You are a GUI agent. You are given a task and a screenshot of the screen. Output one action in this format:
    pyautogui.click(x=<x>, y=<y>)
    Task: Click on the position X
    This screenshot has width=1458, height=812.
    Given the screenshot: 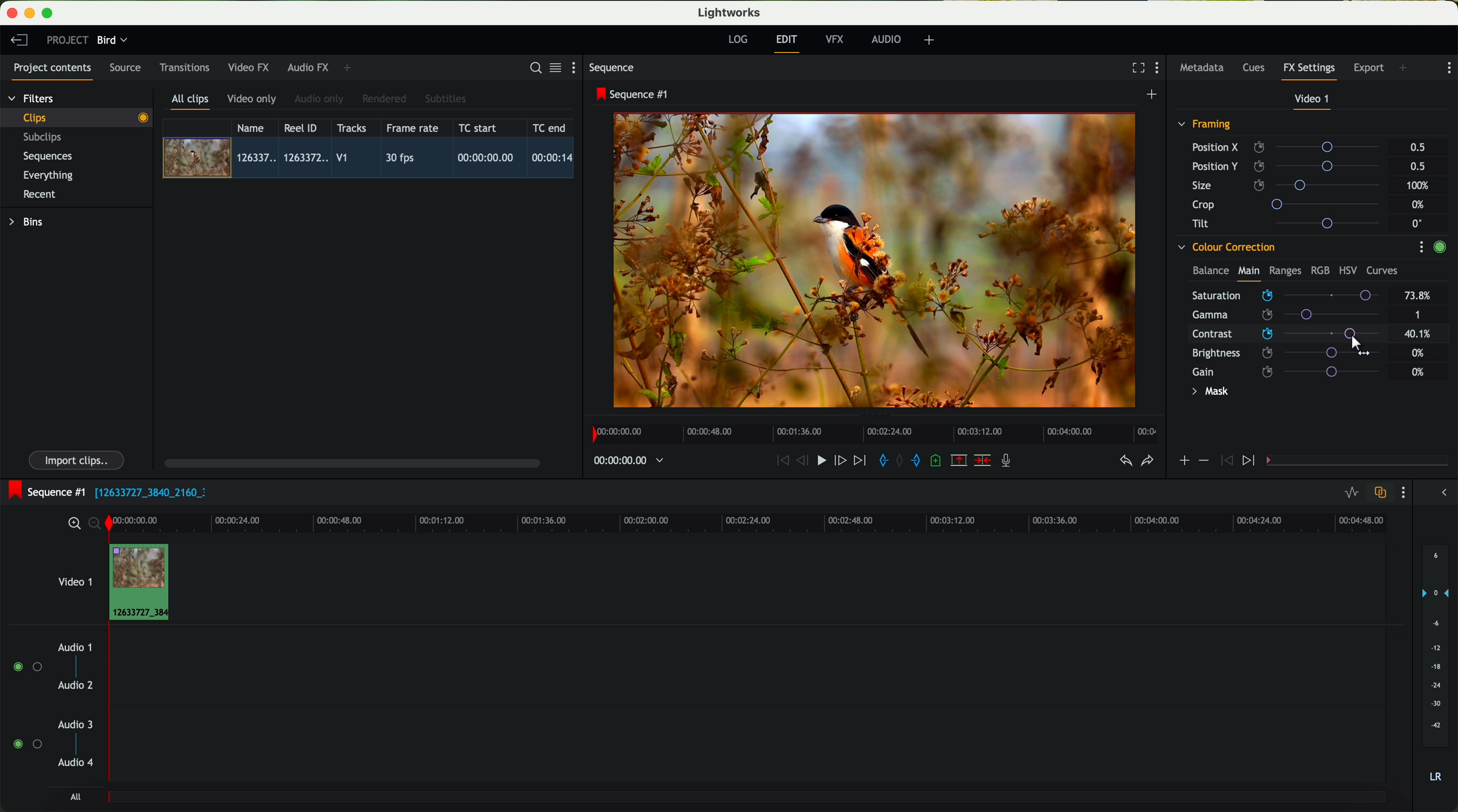 What is the action you would take?
    pyautogui.click(x=1290, y=147)
    